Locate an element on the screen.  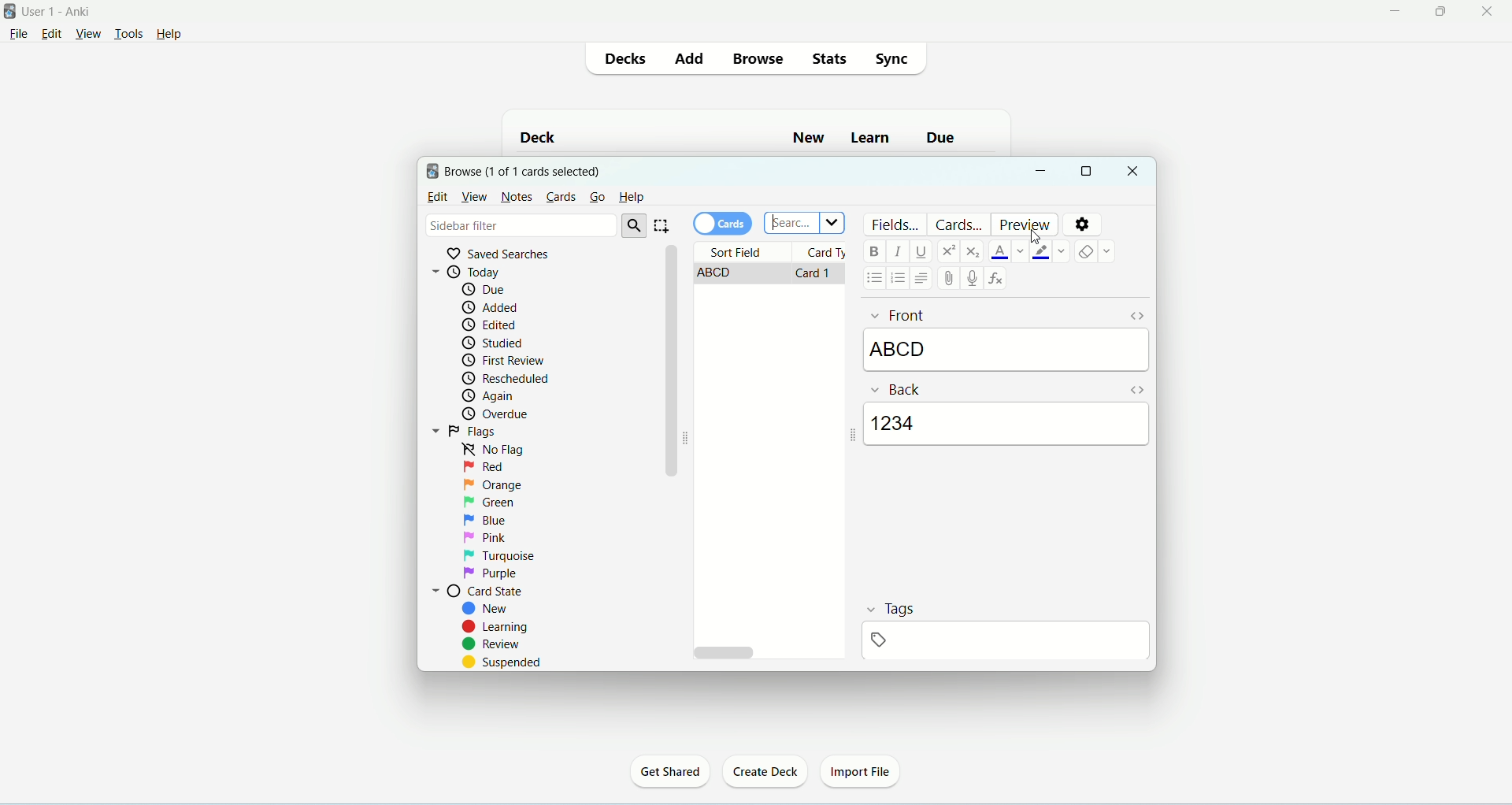
help is located at coordinates (632, 199).